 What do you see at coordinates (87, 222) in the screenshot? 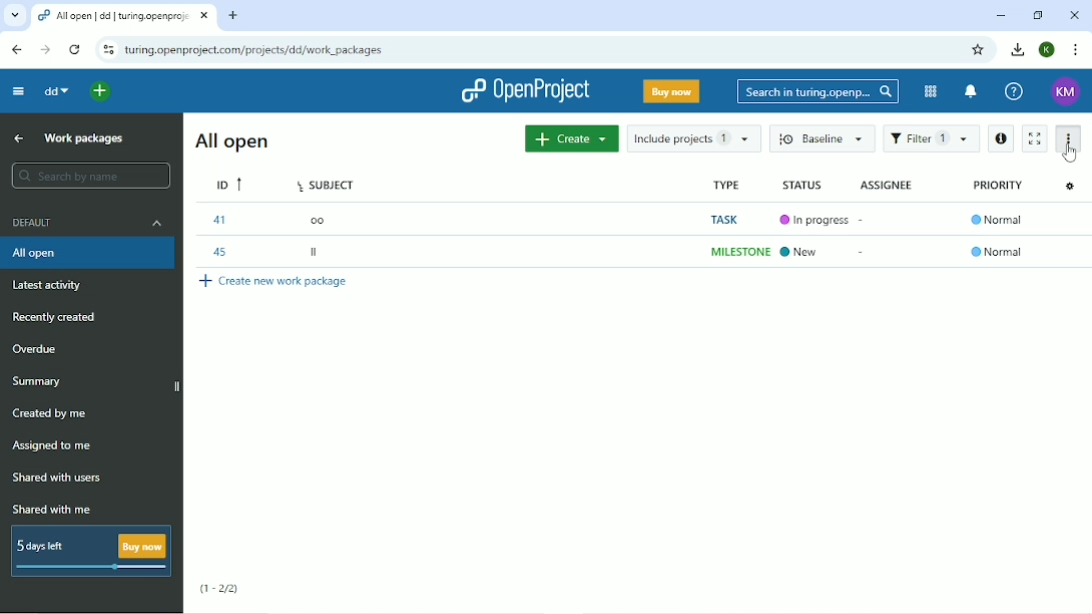
I see `Default` at bounding box center [87, 222].